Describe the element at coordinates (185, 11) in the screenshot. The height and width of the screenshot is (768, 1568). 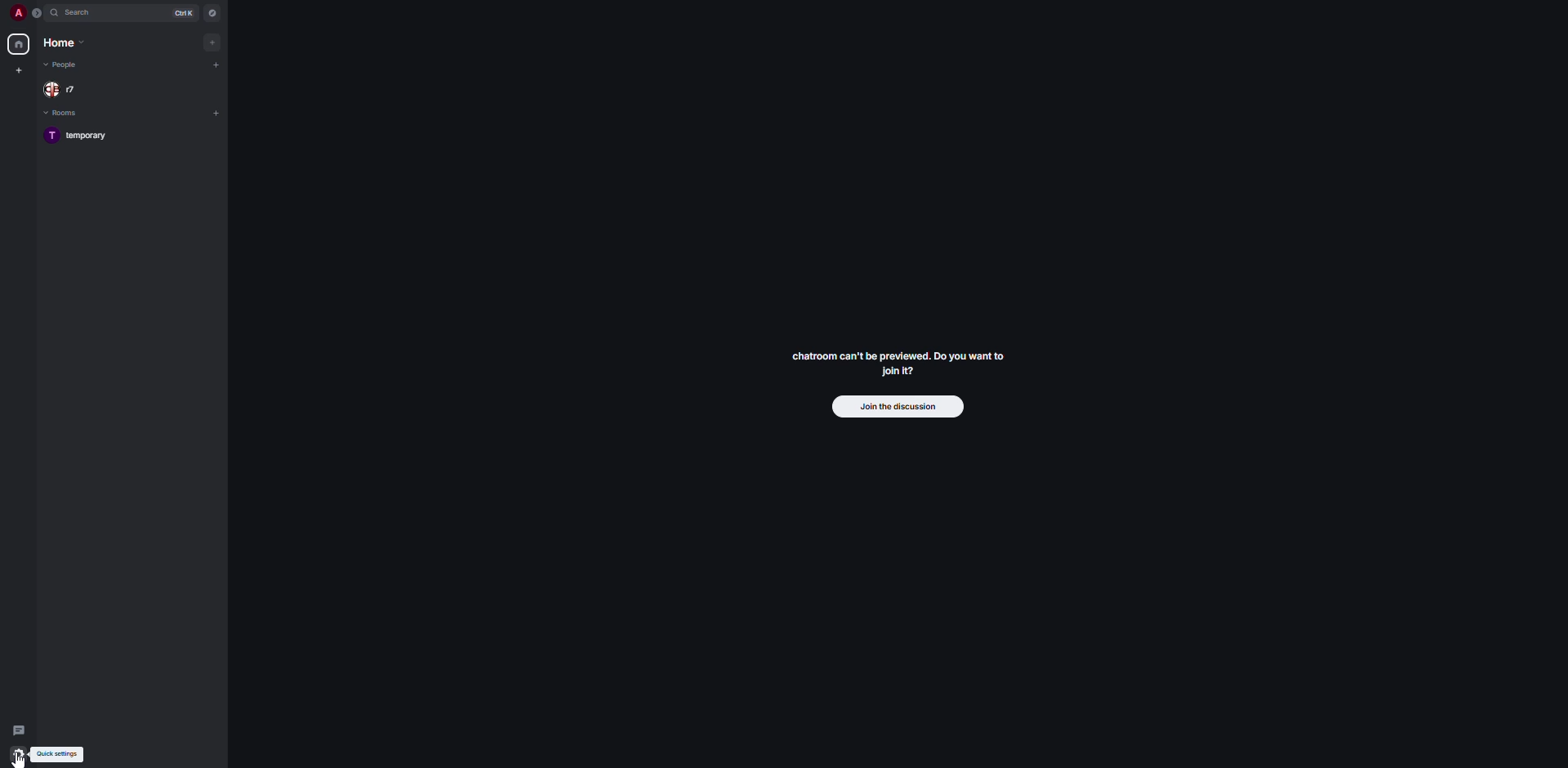
I see `ctrl K` at that location.